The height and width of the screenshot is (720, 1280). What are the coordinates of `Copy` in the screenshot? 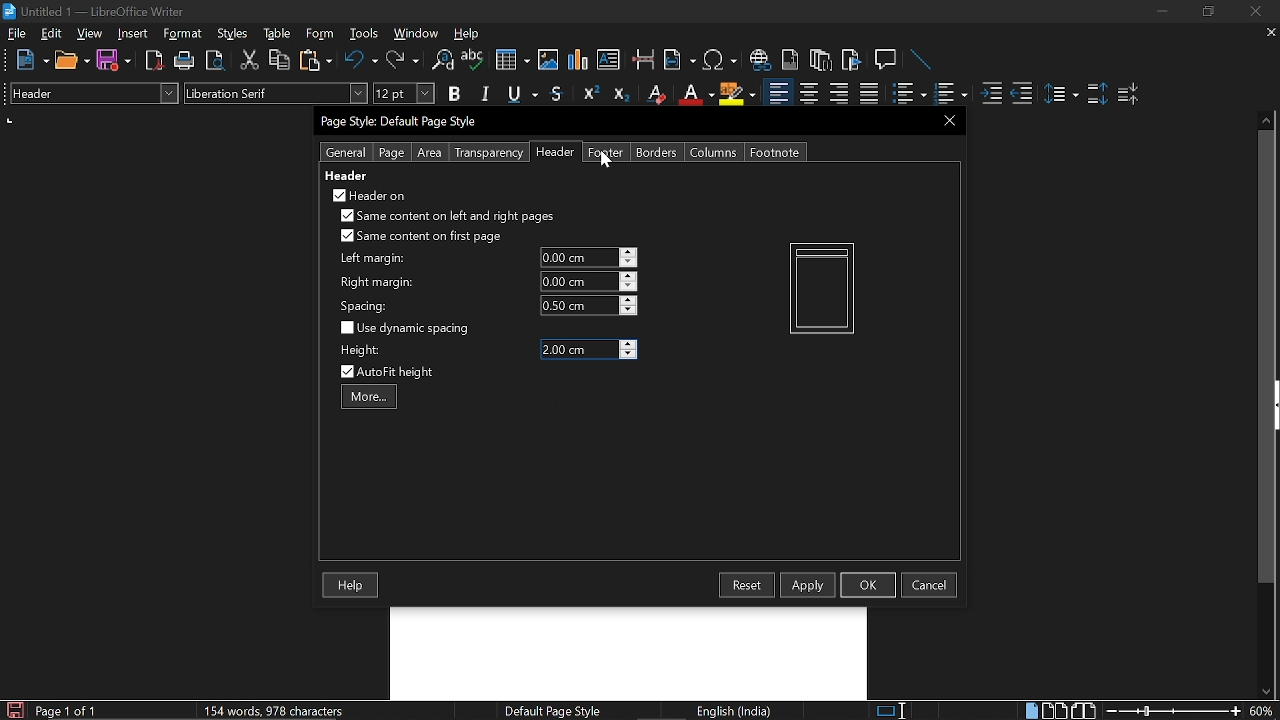 It's located at (278, 60).